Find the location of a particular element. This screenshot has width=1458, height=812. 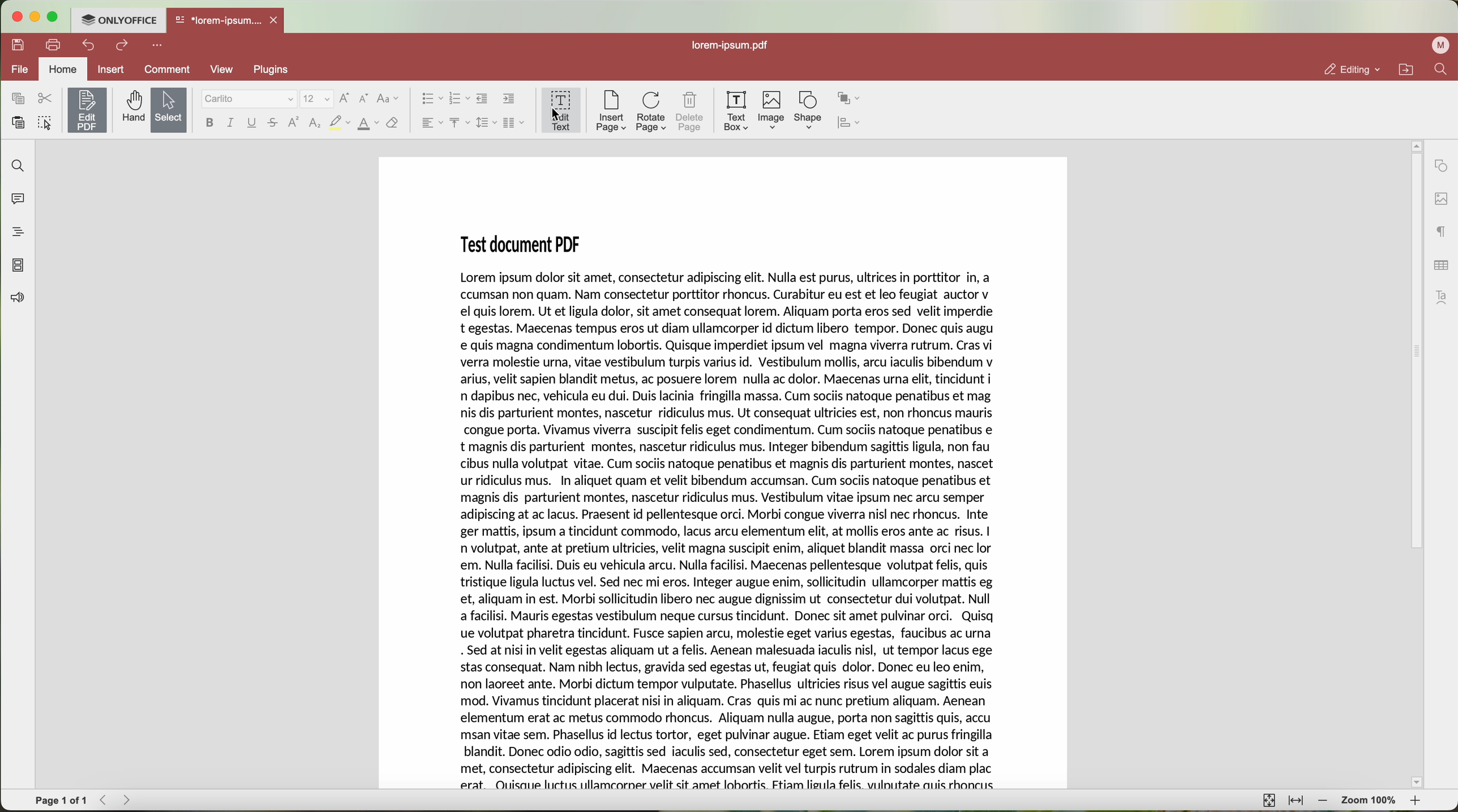

navigate arrows is located at coordinates (113, 801).